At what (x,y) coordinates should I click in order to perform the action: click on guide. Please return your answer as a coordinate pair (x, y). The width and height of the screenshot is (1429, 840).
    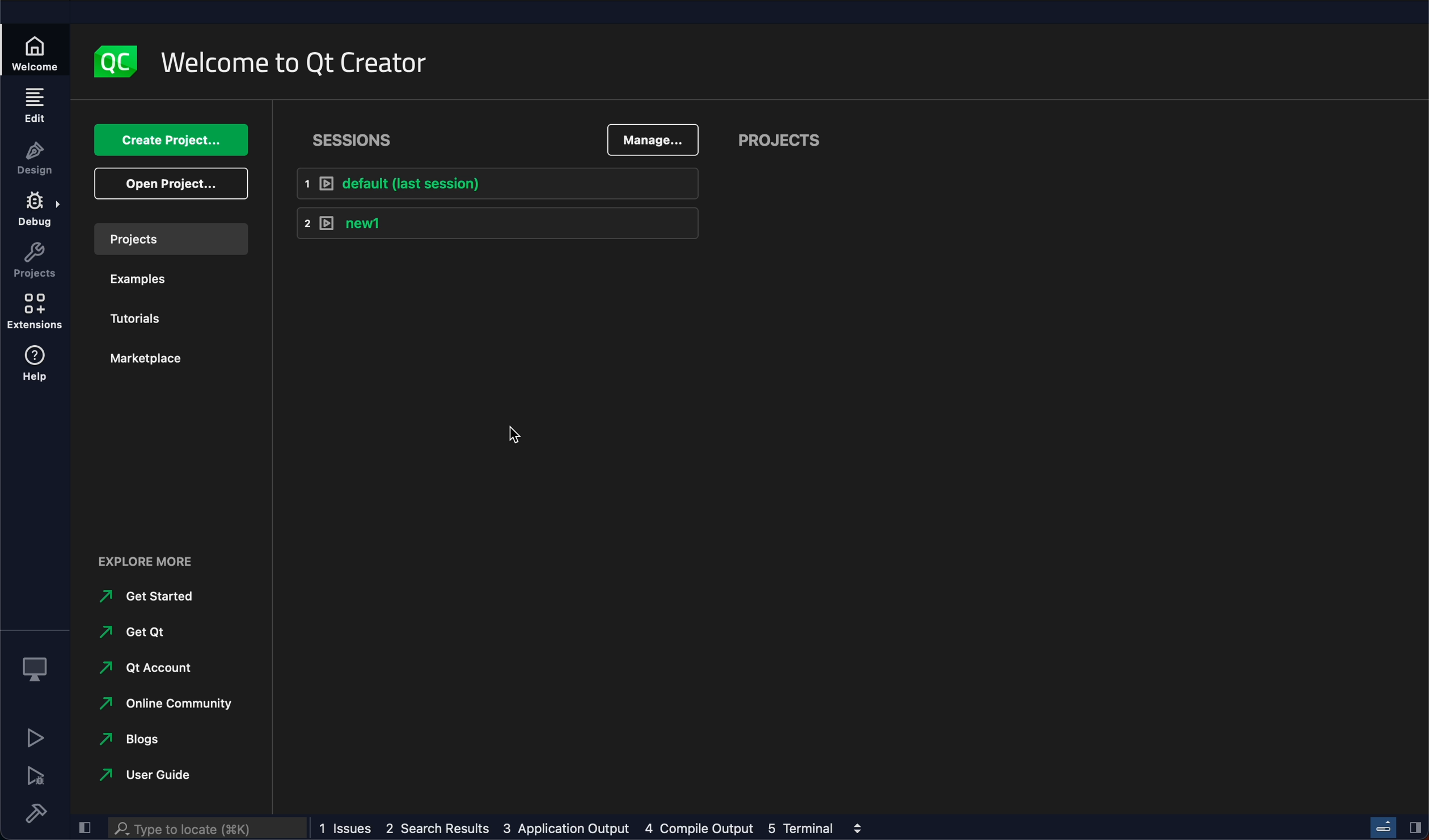
    Looking at the image, I should click on (142, 775).